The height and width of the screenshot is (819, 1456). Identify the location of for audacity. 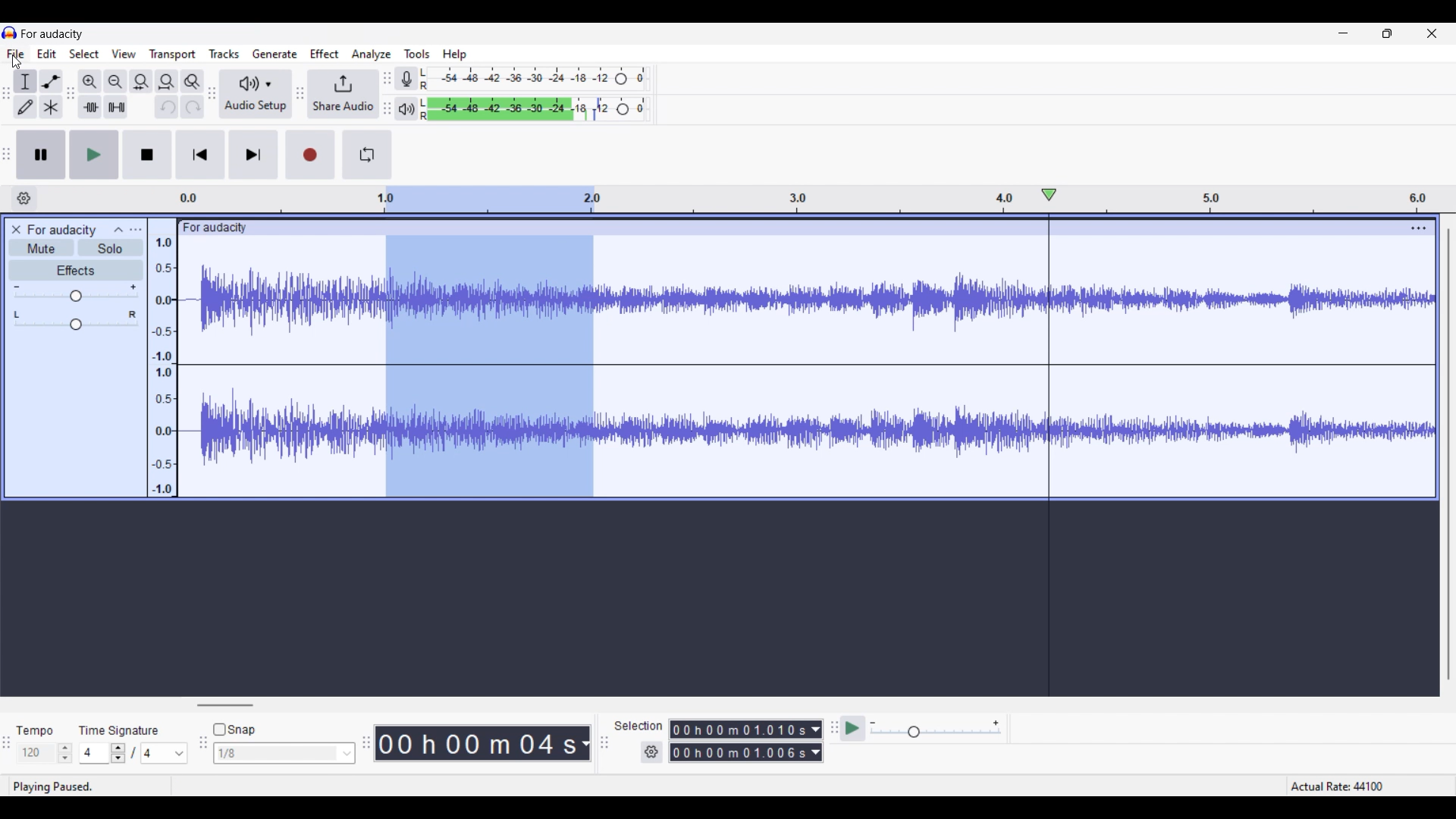
(62, 231).